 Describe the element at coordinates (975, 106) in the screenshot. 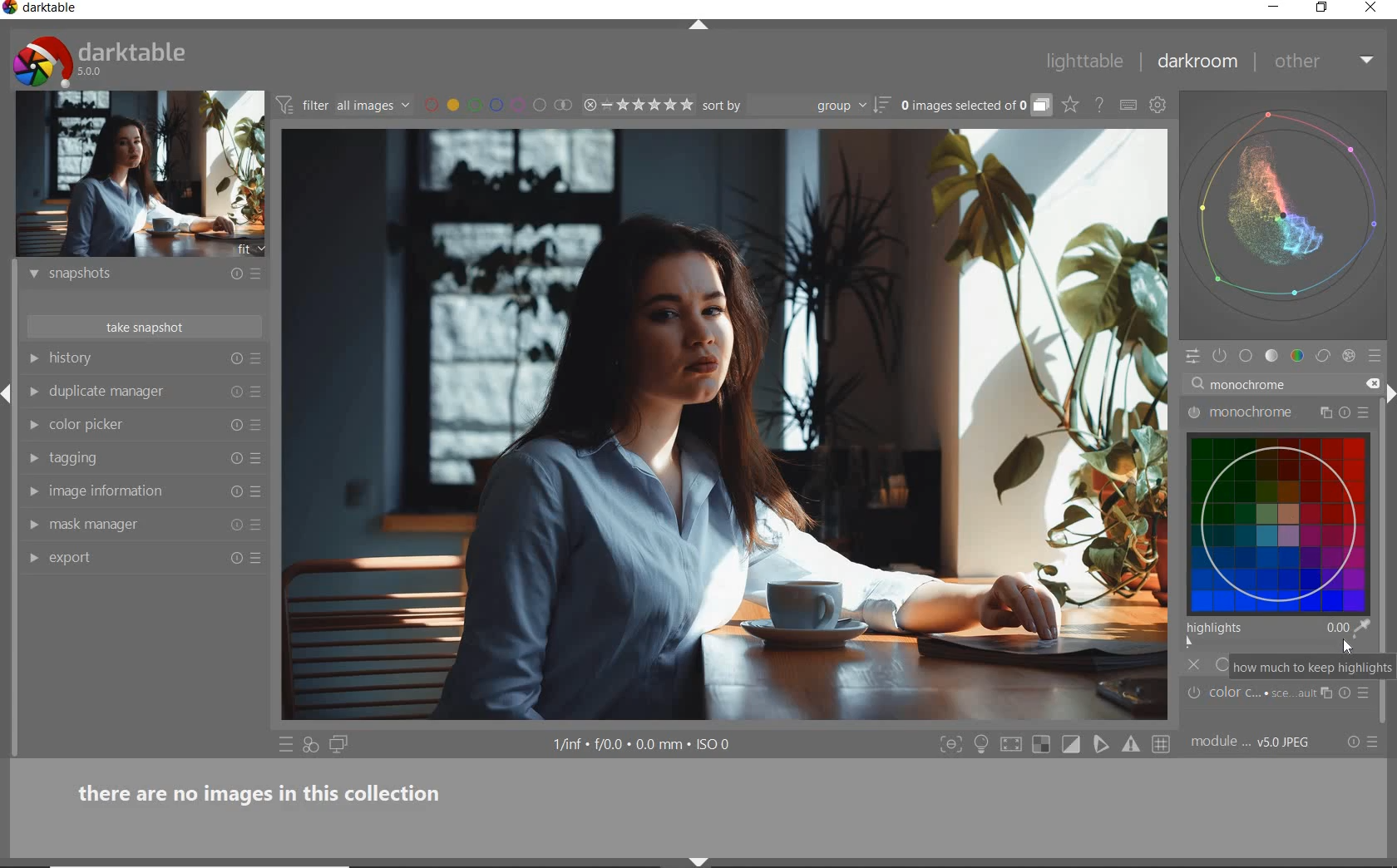

I see `expand grouped images` at that location.